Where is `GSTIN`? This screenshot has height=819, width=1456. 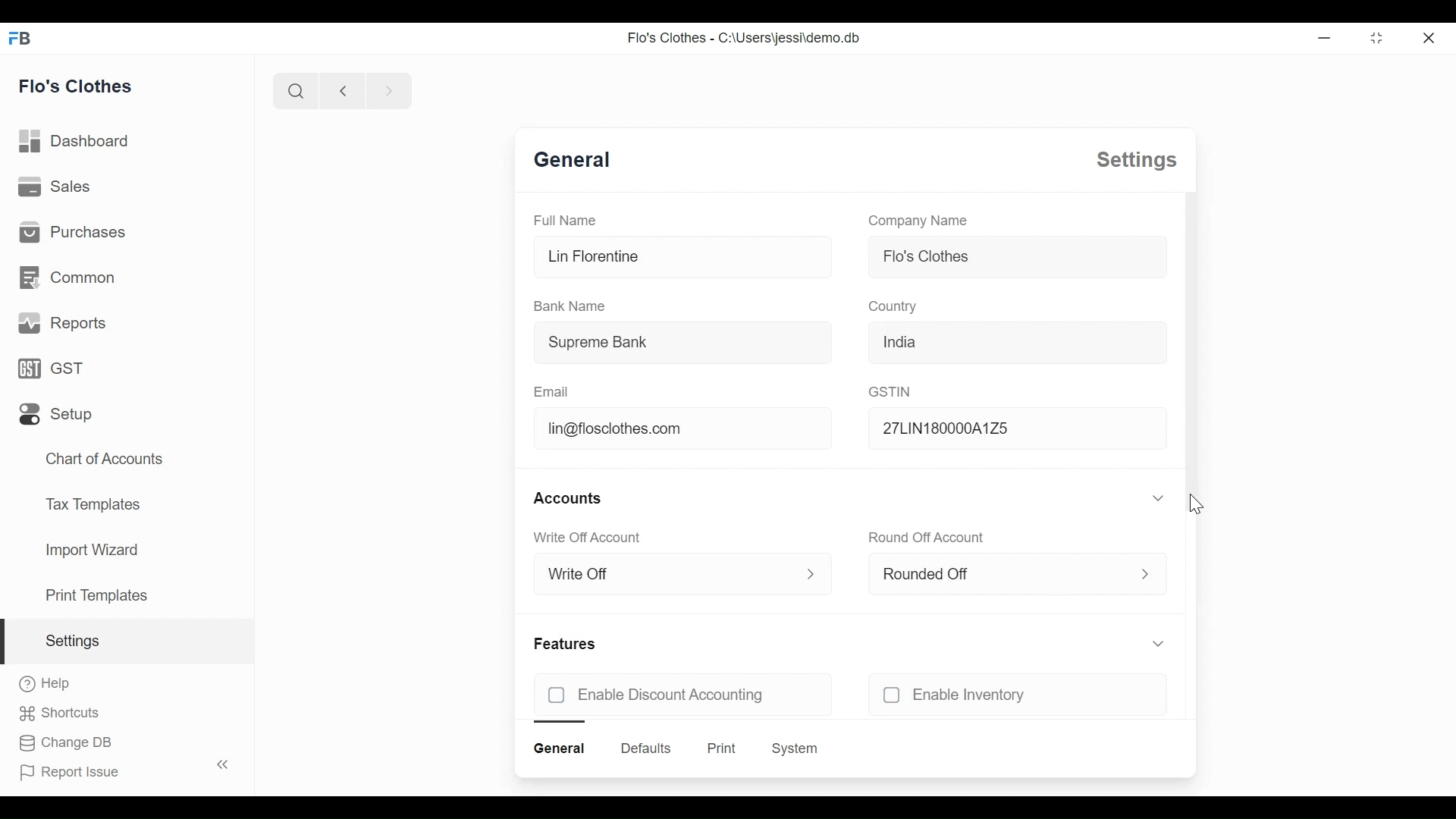 GSTIN is located at coordinates (892, 391).